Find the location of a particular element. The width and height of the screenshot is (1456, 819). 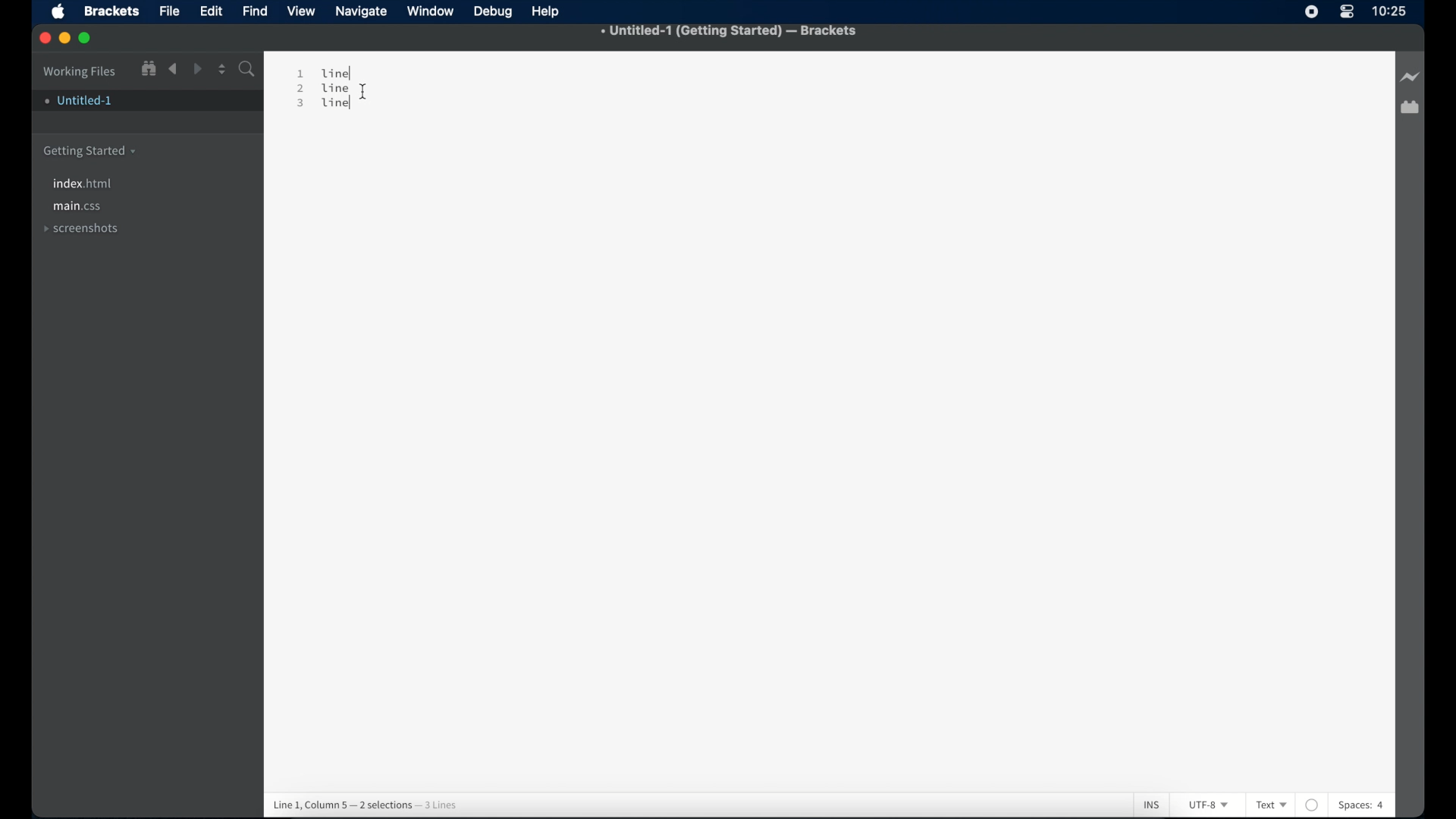

apple icon is located at coordinates (58, 11).